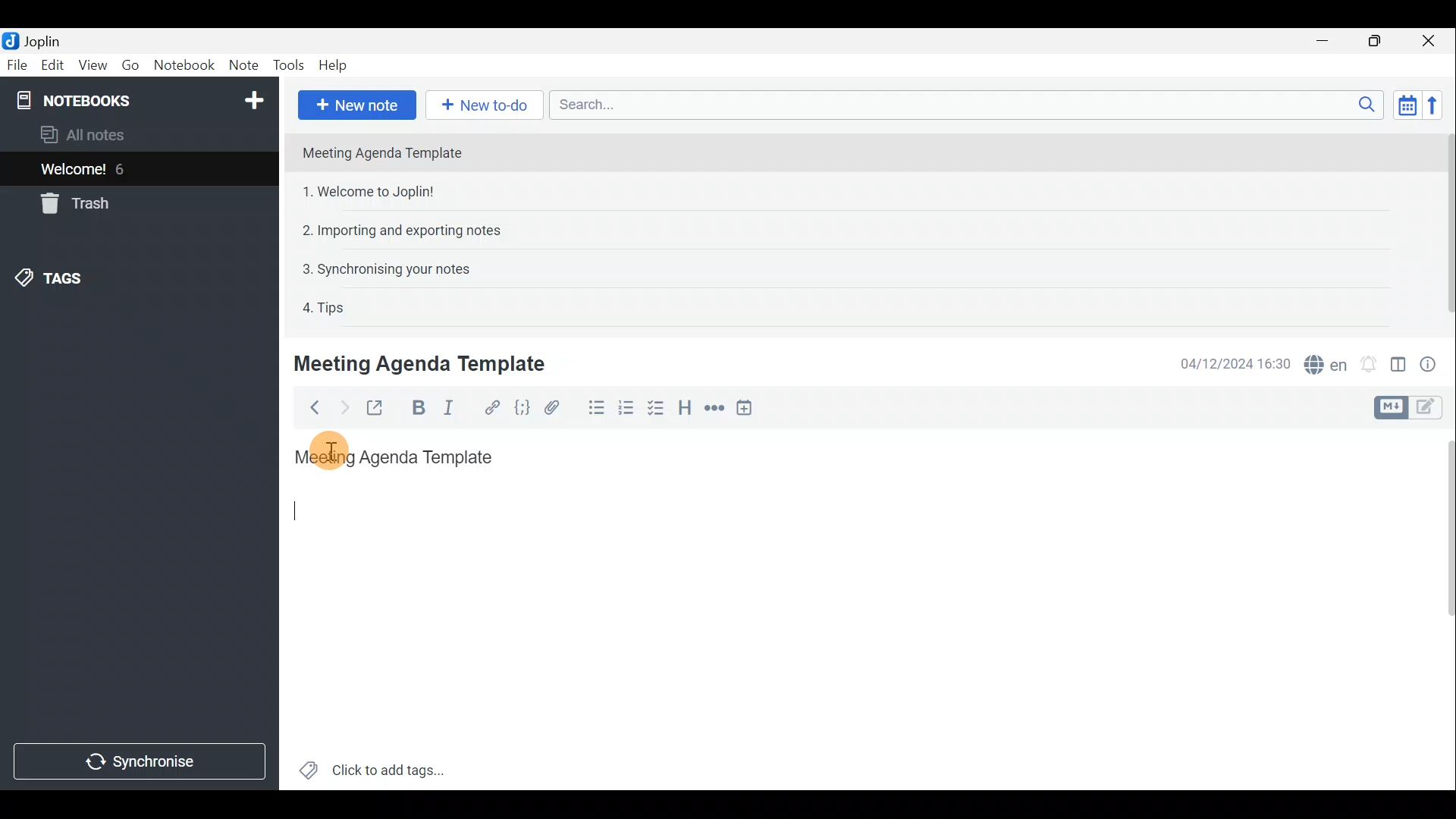 This screenshot has height=819, width=1456. What do you see at coordinates (483, 104) in the screenshot?
I see `New to-do` at bounding box center [483, 104].